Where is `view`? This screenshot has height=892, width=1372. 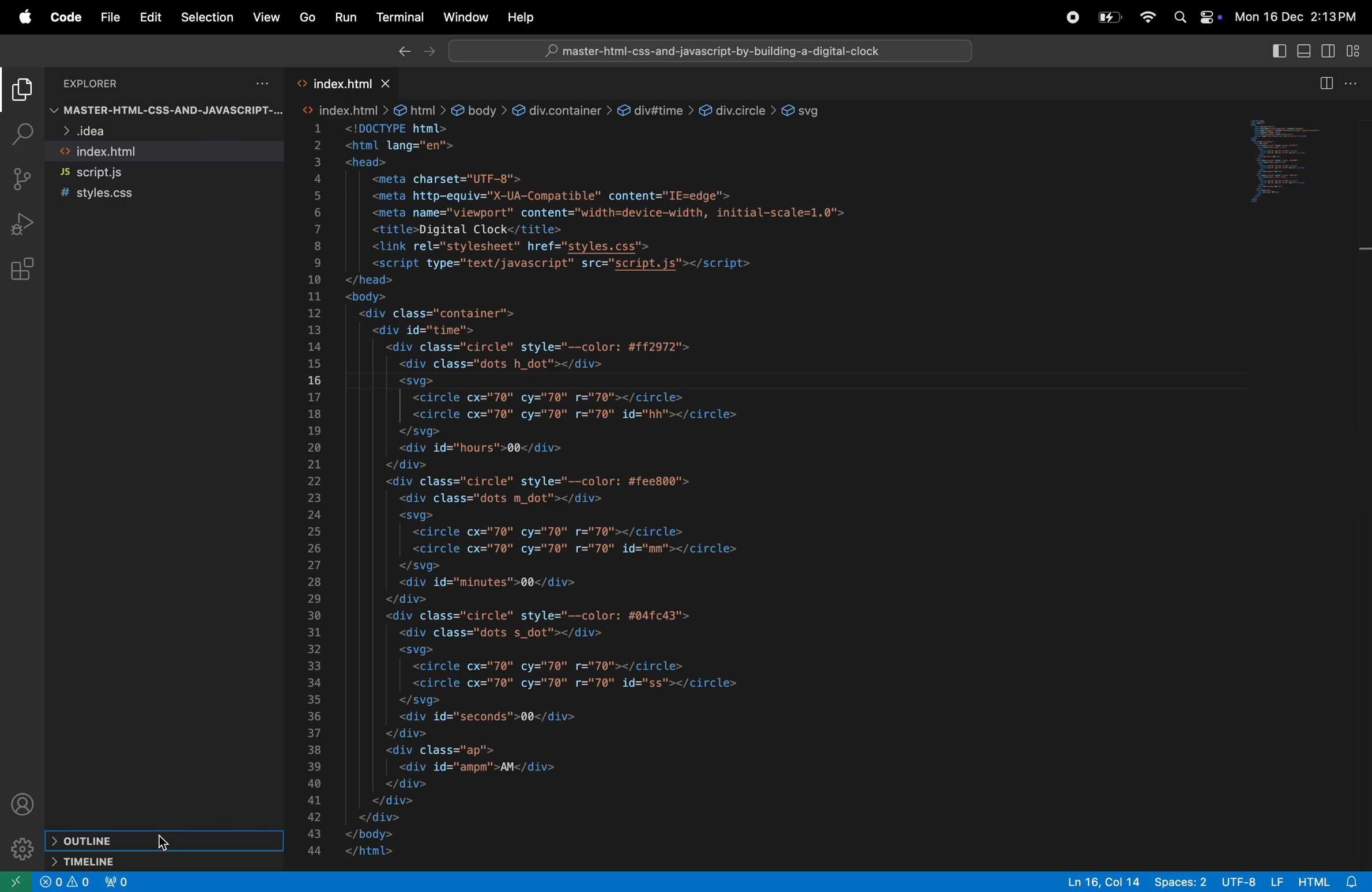
view is located at coordinates (266, 14).